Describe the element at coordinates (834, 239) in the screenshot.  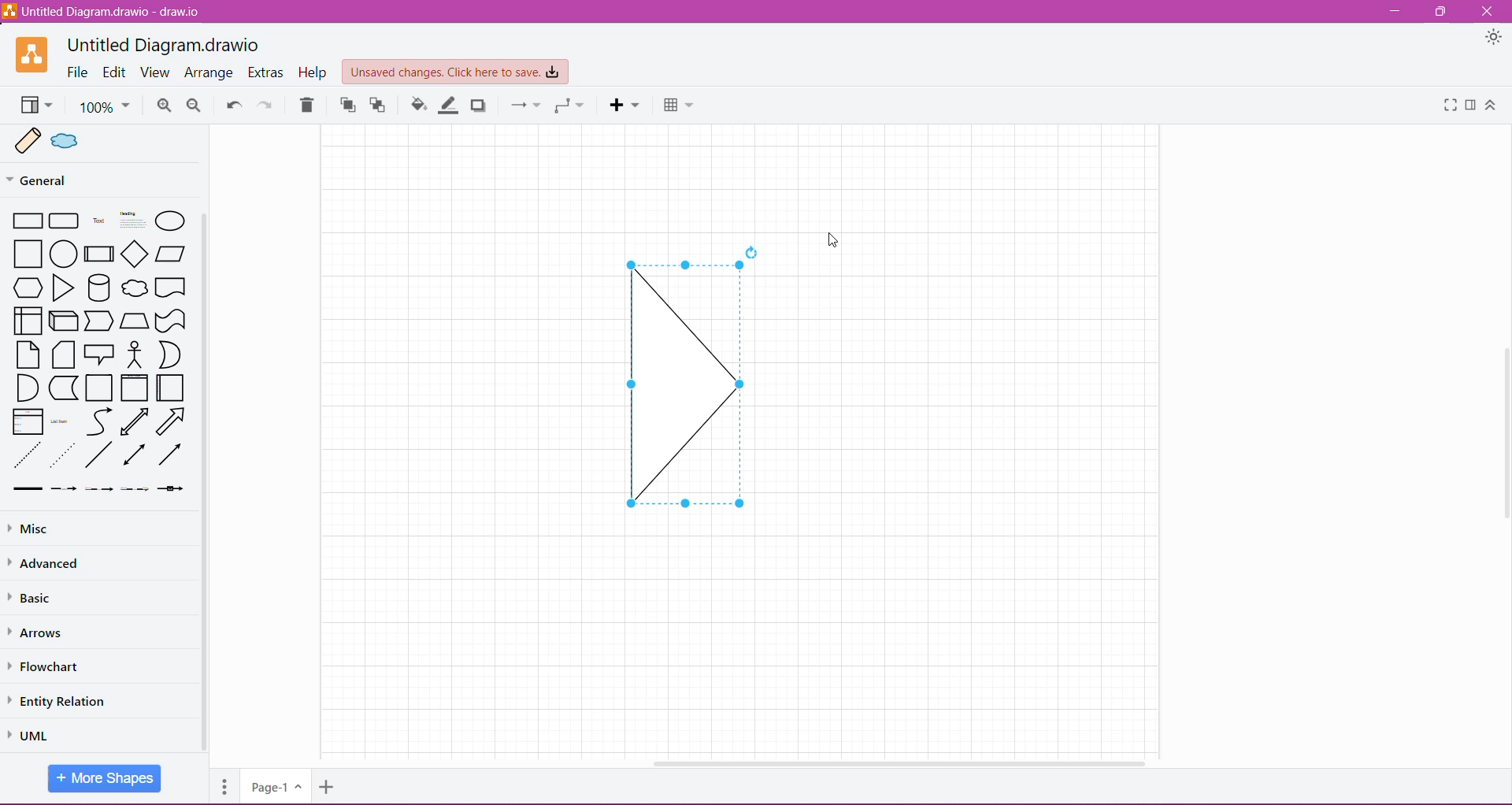
I see `Cursor` at that location.